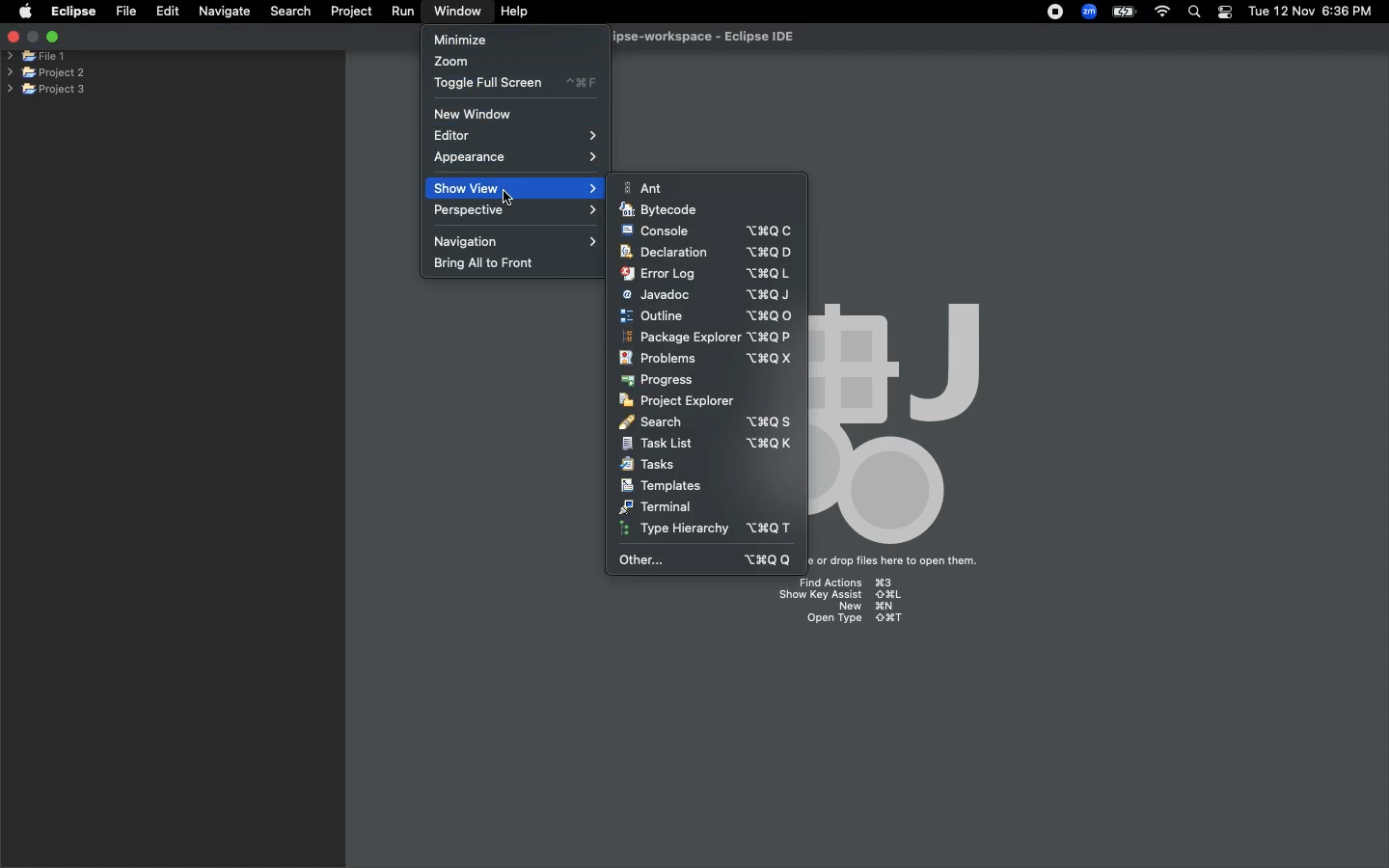  Describe the element at coordinates (452, 63) in the screenshot. I see `Zoom` at that location.